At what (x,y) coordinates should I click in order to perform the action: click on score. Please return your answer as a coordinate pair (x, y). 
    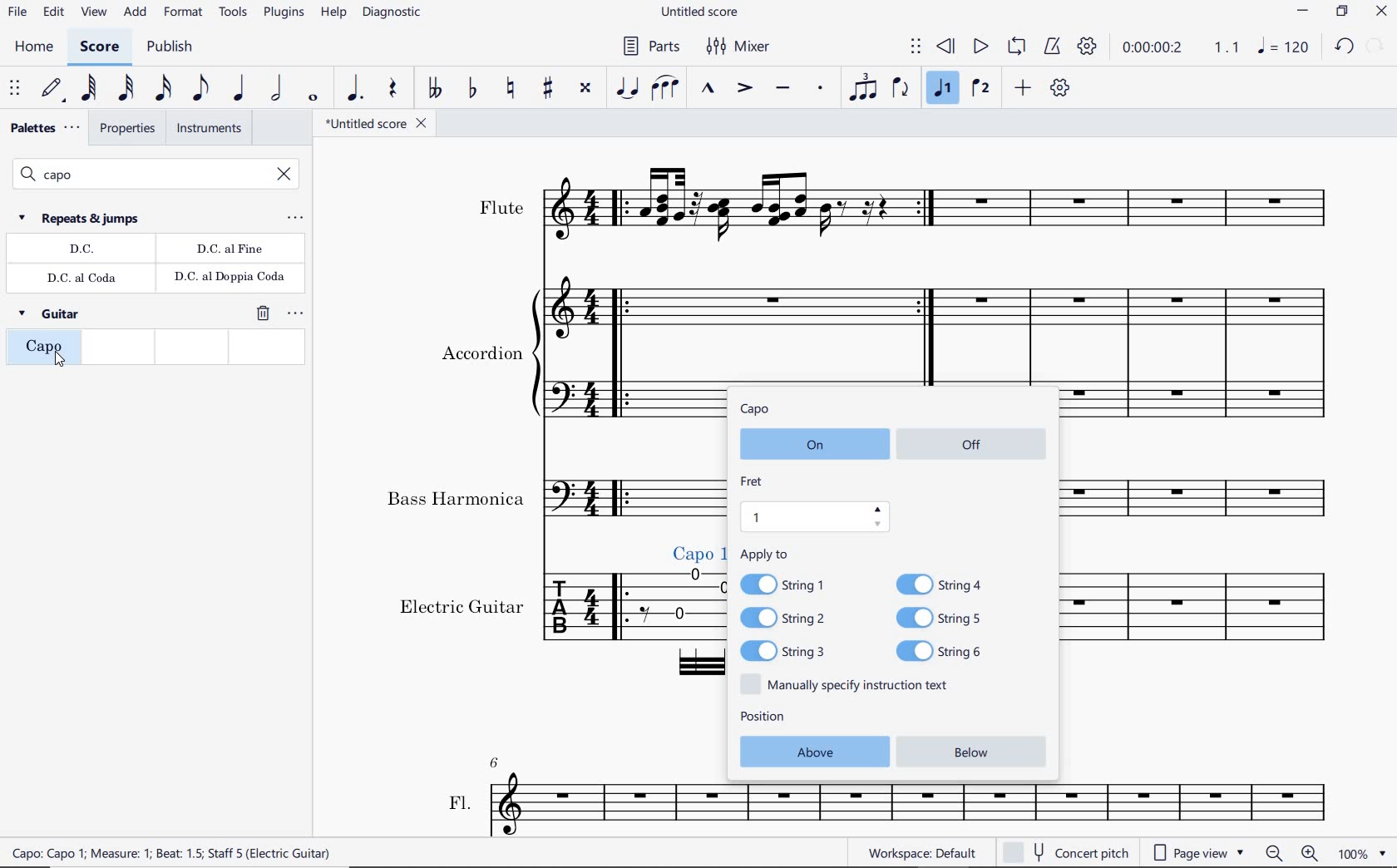
    Looking at the image, I should click on (100, 47).